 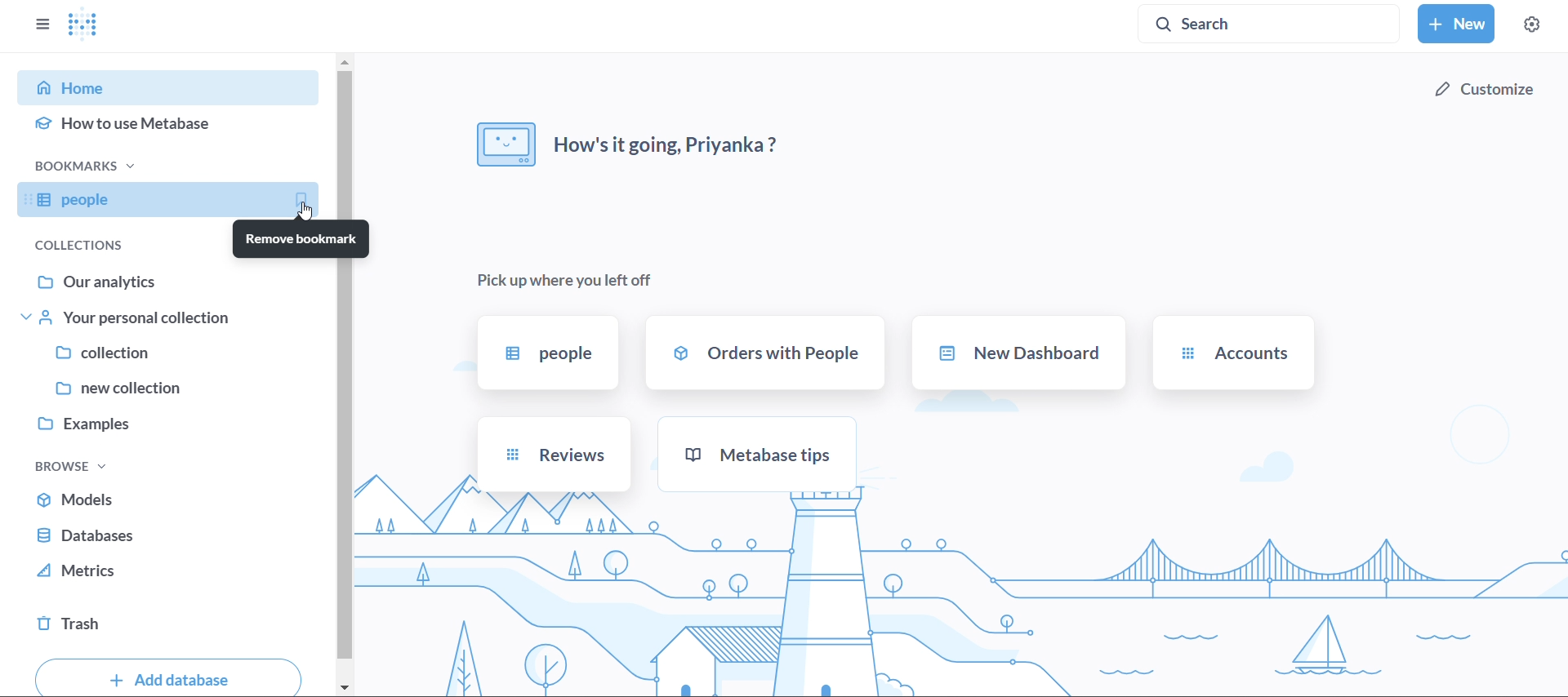 I want to click on accounts, so click(x=1232, y=353).